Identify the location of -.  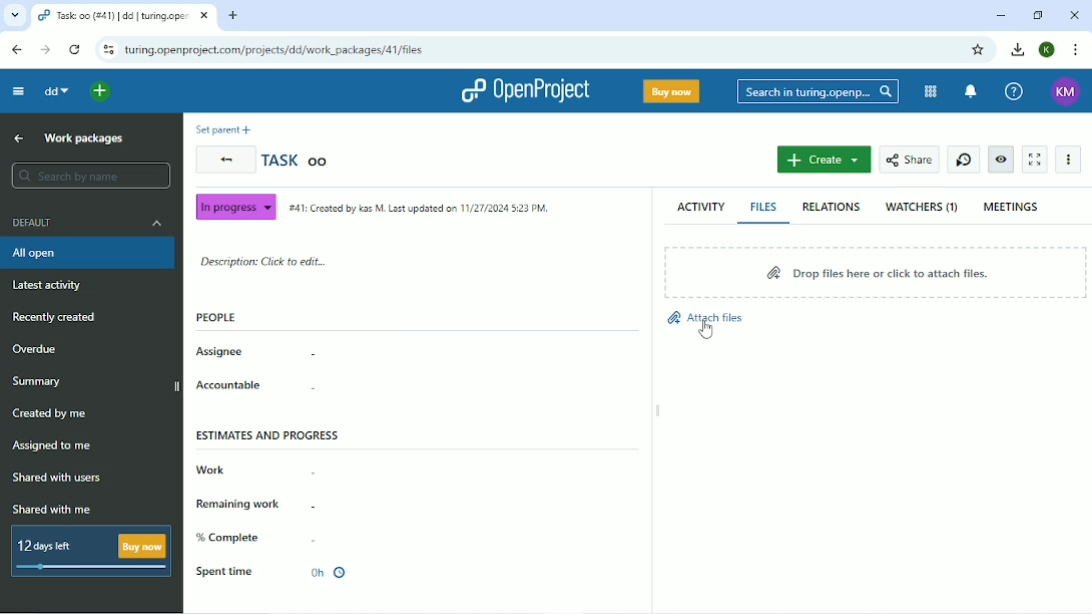
(315, 538).